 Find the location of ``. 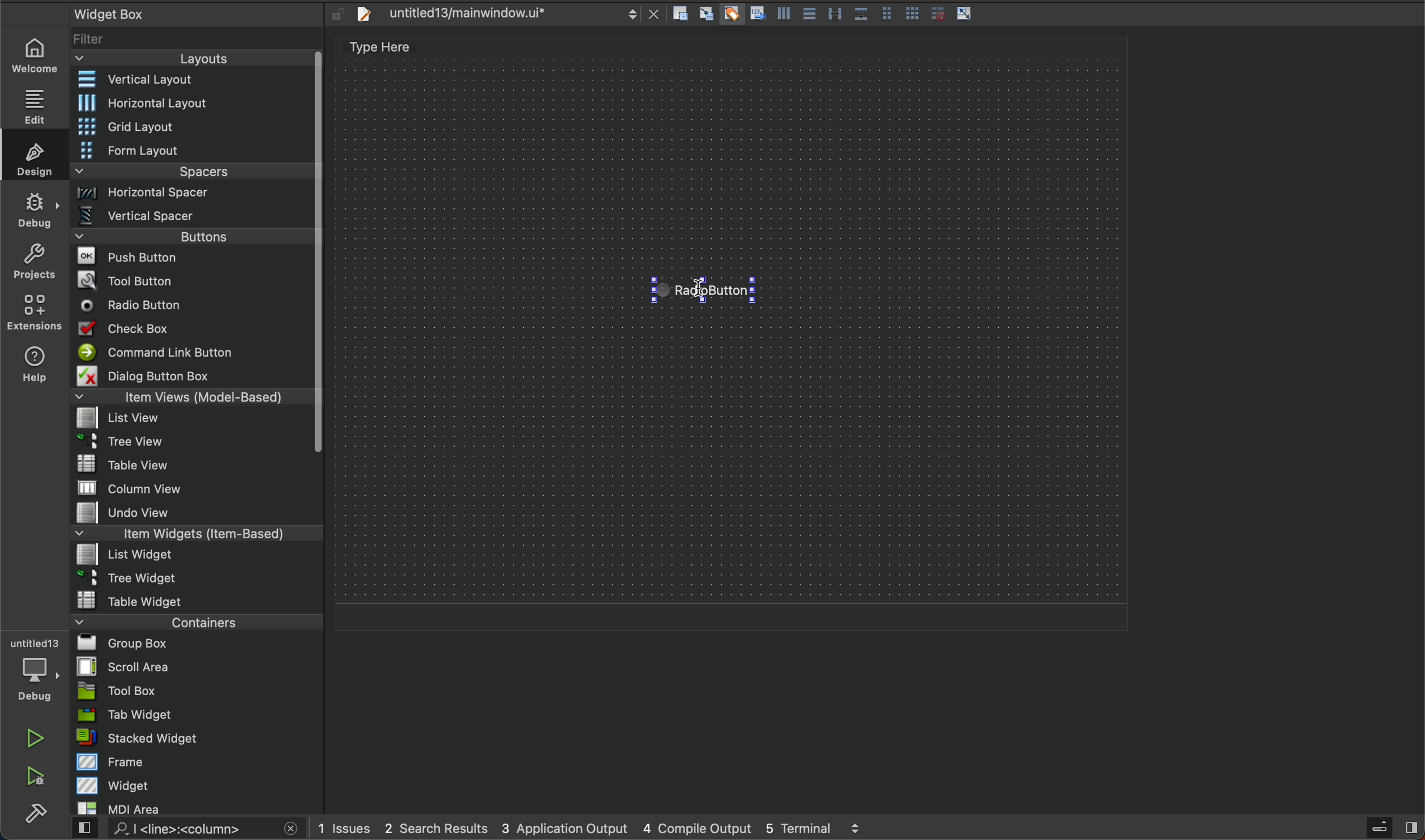

 is located at coordinates (835, 15).